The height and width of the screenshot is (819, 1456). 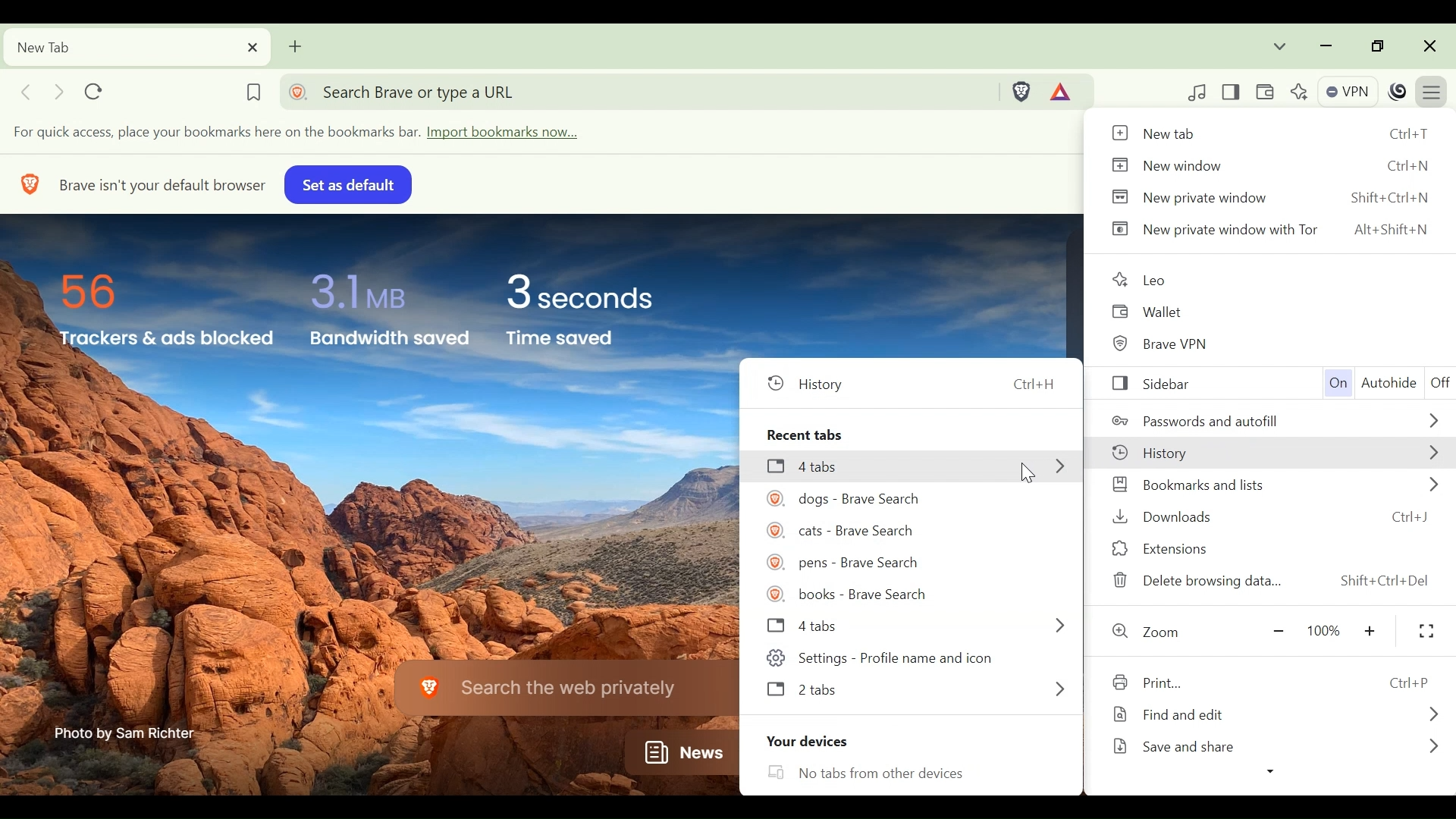 I want to click on Ctrl+H, so click(x=1034, y=385).